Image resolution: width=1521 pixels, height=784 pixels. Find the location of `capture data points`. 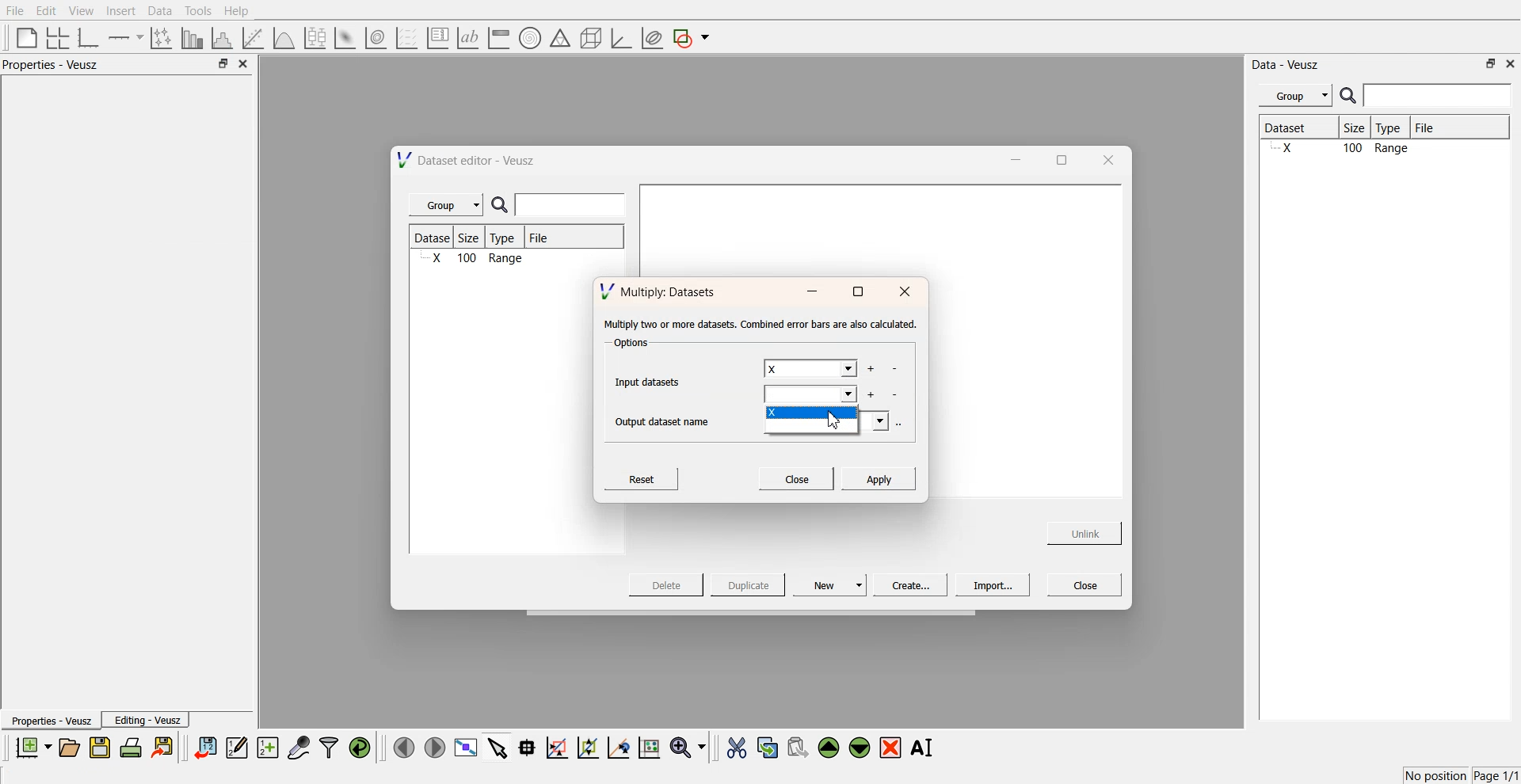

capture data points is located at coordinates (299, 748).